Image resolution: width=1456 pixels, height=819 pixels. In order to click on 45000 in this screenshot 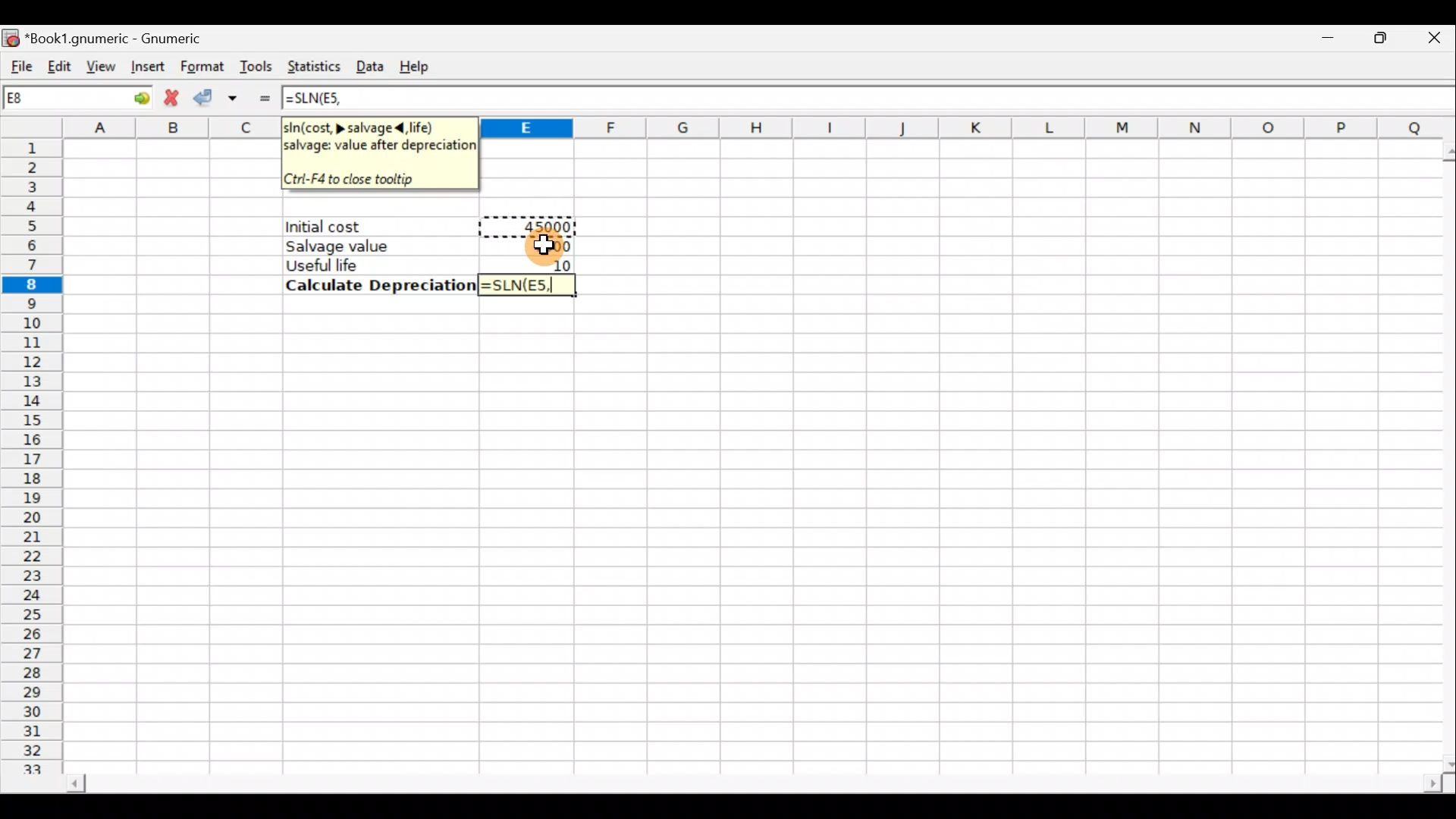, I will do `click(543, 224)`.